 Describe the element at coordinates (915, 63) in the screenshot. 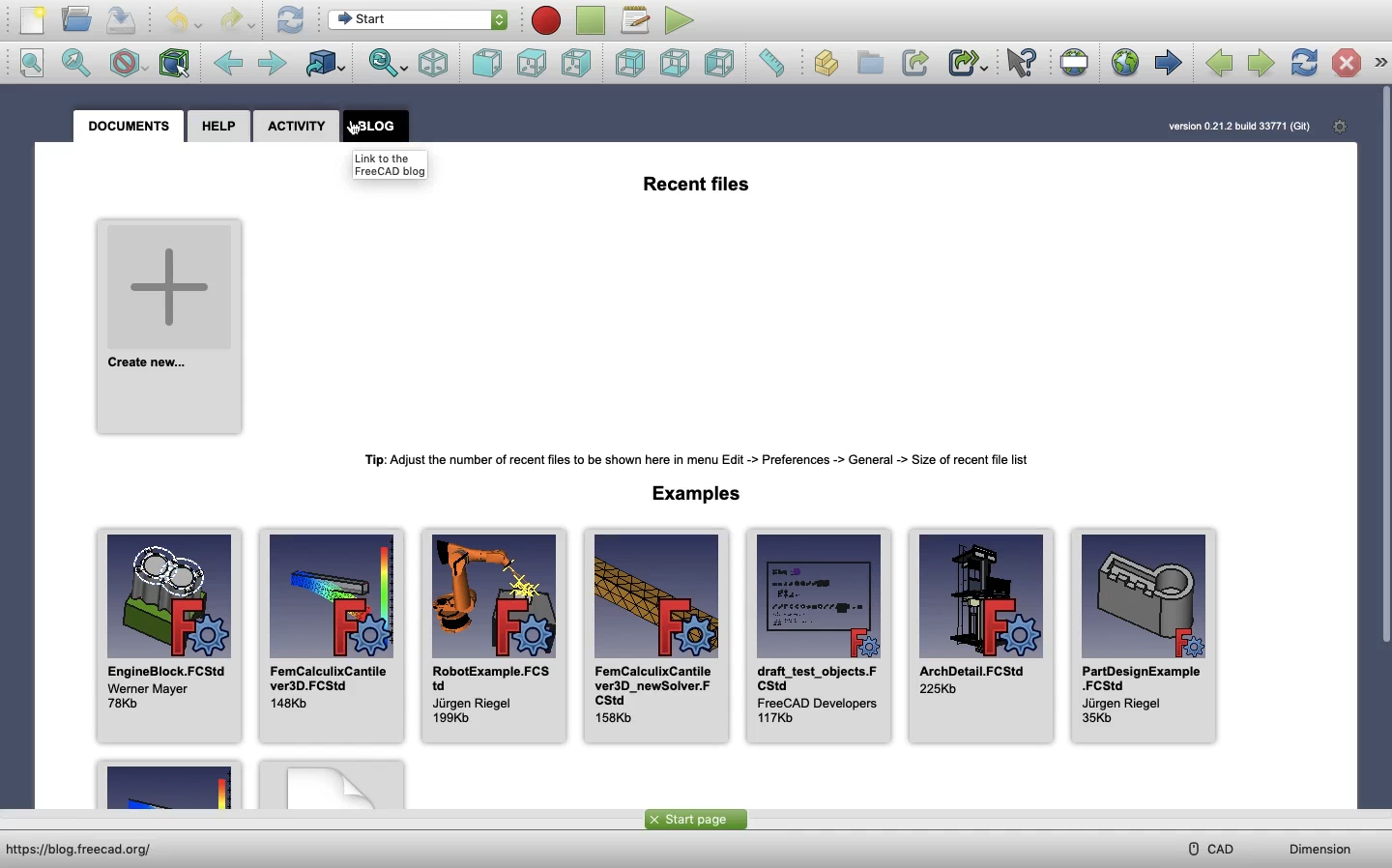

I see `Make Link` at that location.